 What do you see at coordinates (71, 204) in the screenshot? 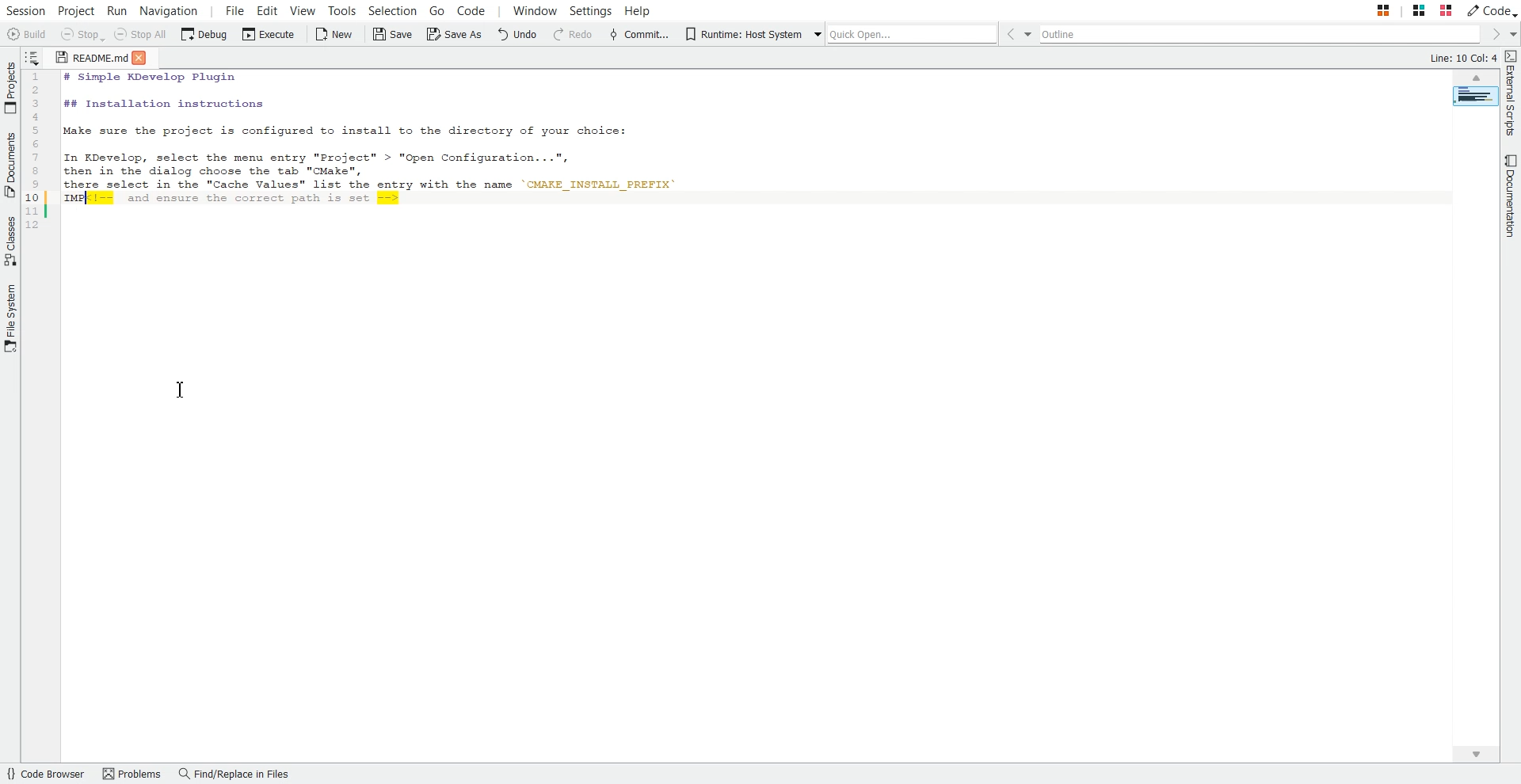
I see `IMP (comment added to the commented text)` at bounding box center [71, 204].